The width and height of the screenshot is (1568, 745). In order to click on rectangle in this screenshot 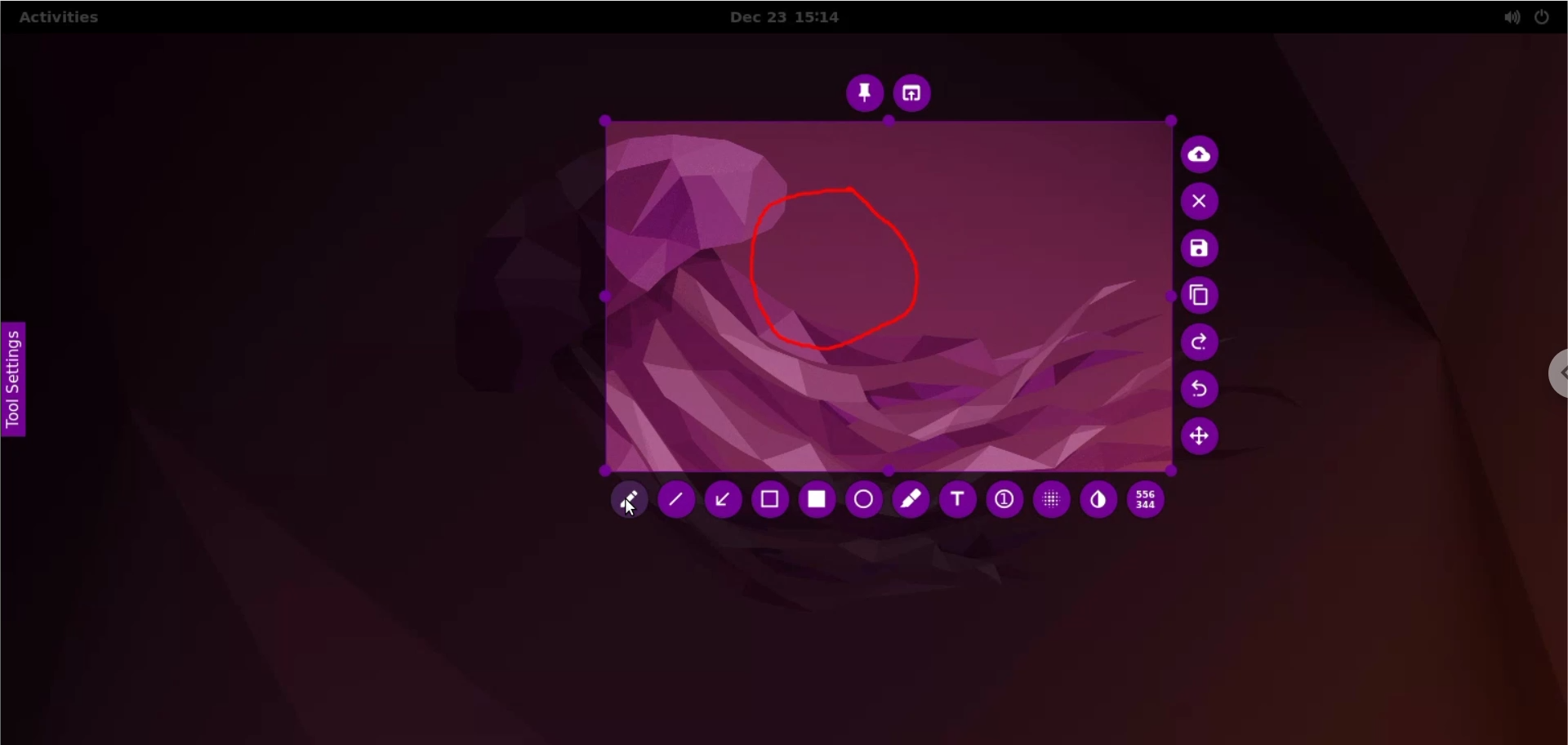, I will do `click(822, 500)`.